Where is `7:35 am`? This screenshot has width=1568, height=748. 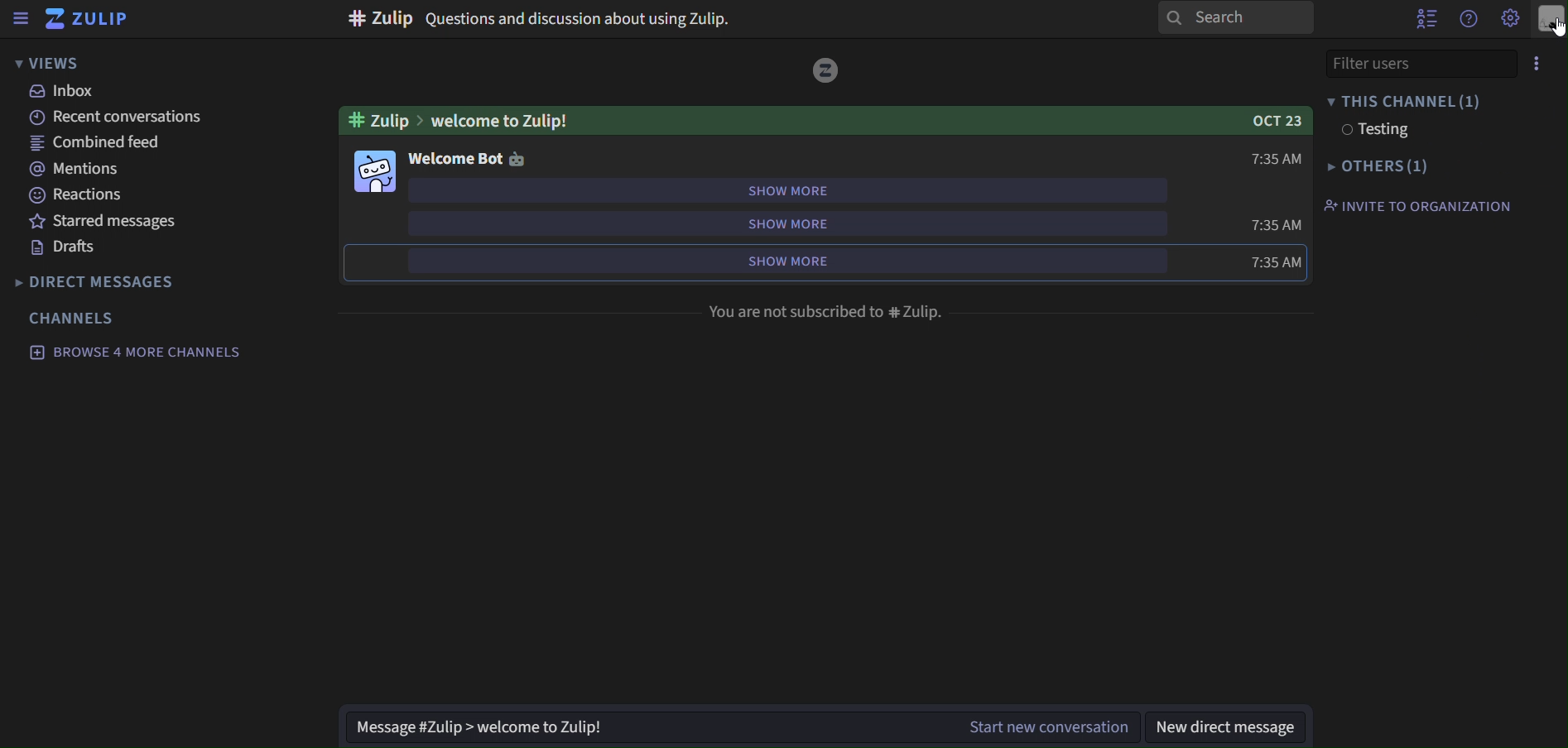
7:35 am is located at coordinates (1277, 261).